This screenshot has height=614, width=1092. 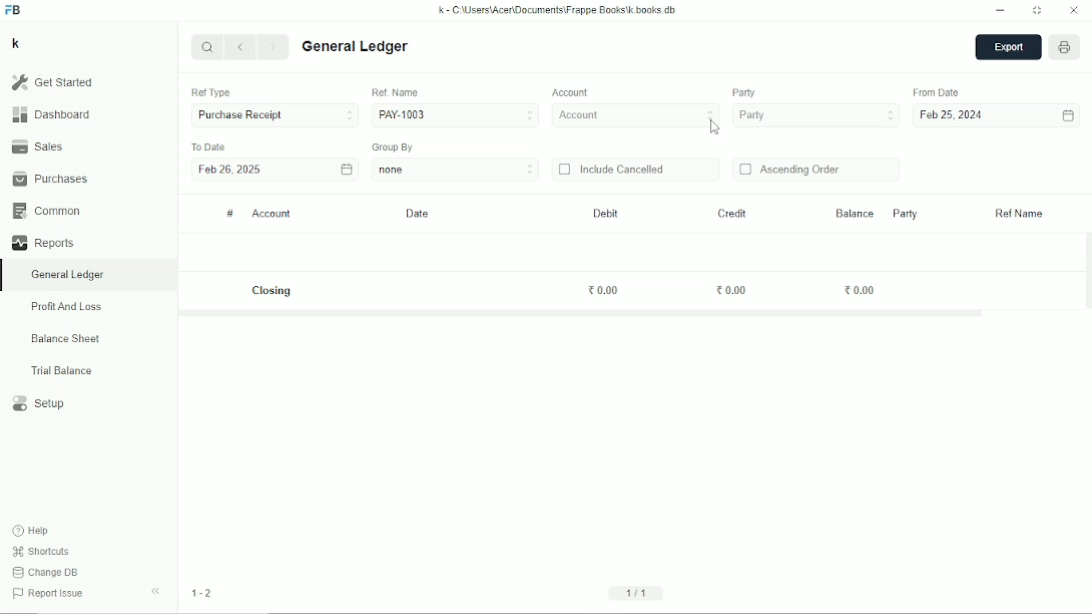 What do you see at coordinates (1074, 11) in the screenshot?
I see `Close` at bounding box center [1074, 11].